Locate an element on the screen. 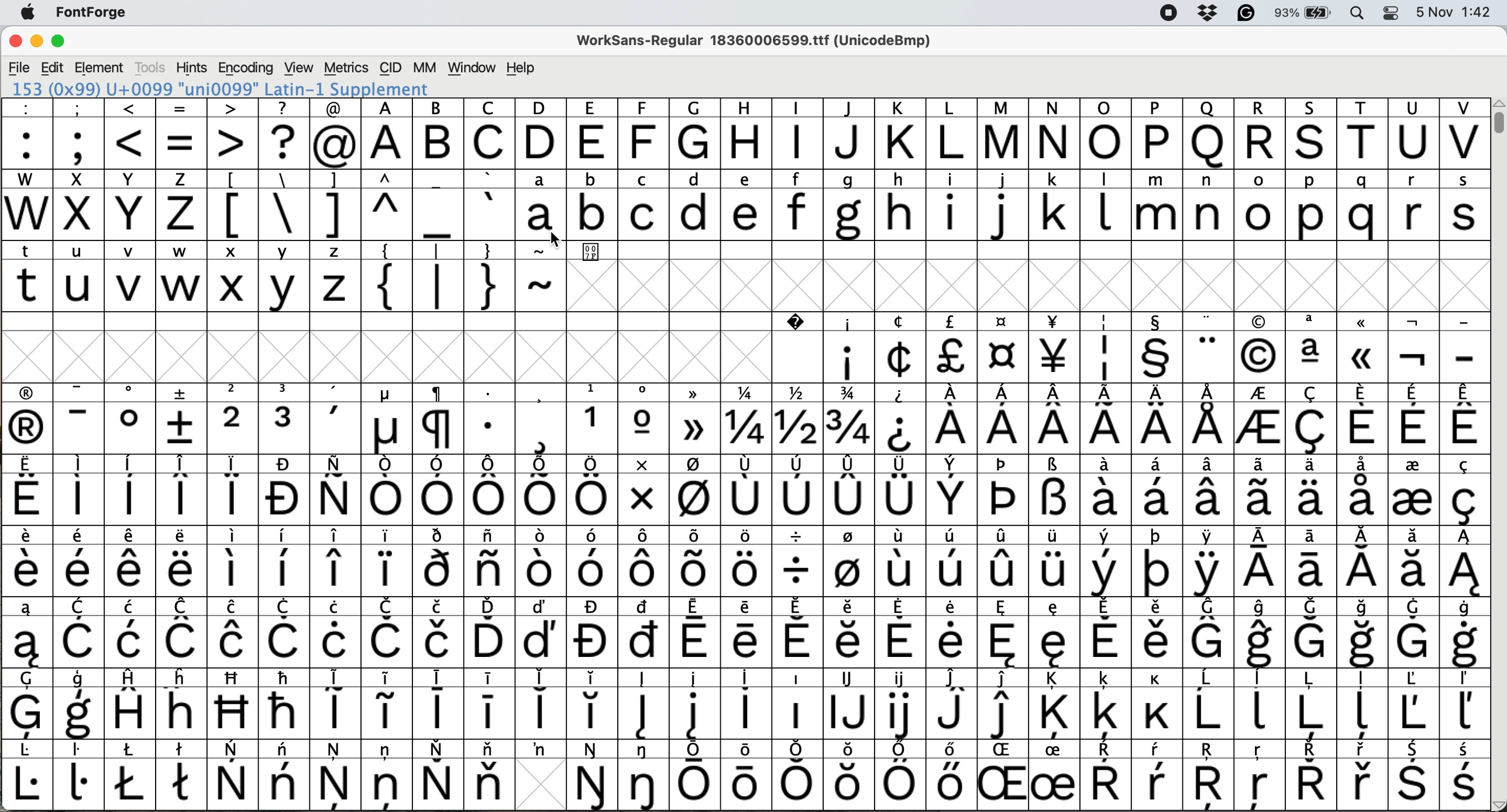 This screenshot has width=1507, height=812. symbol is located at coordinates (388, 419).